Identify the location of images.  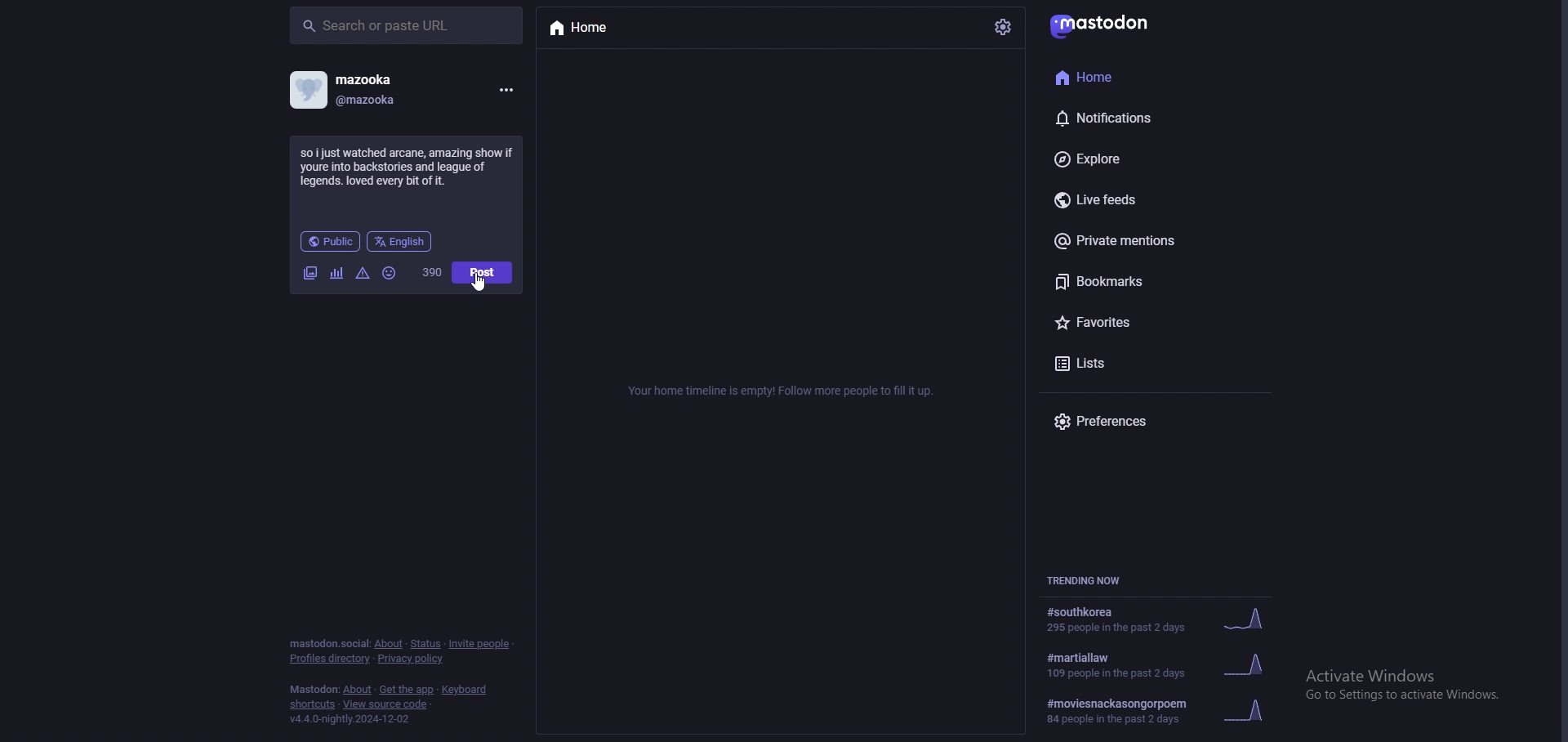
(311, 274).